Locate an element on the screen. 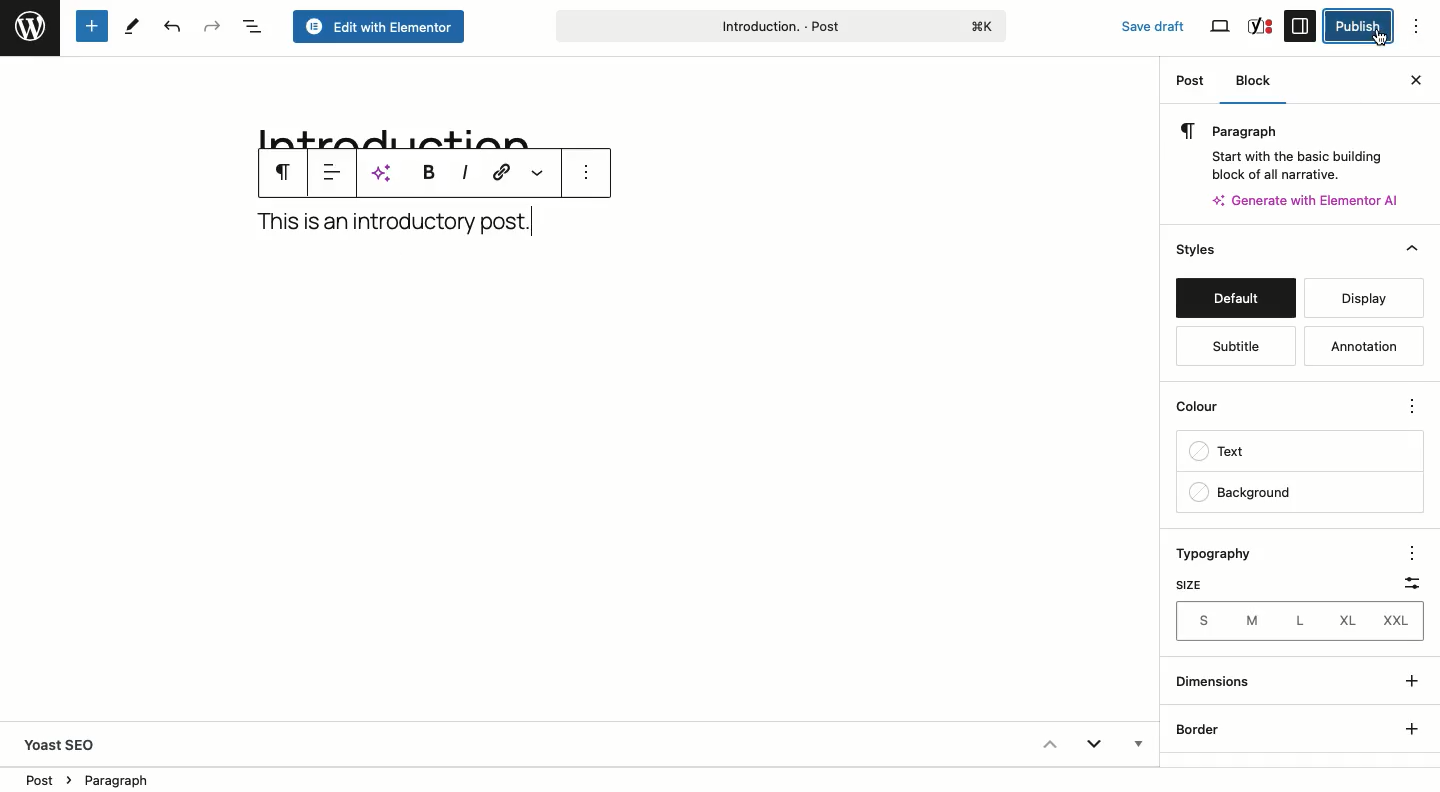  AI is located at coordinates (384, 174).